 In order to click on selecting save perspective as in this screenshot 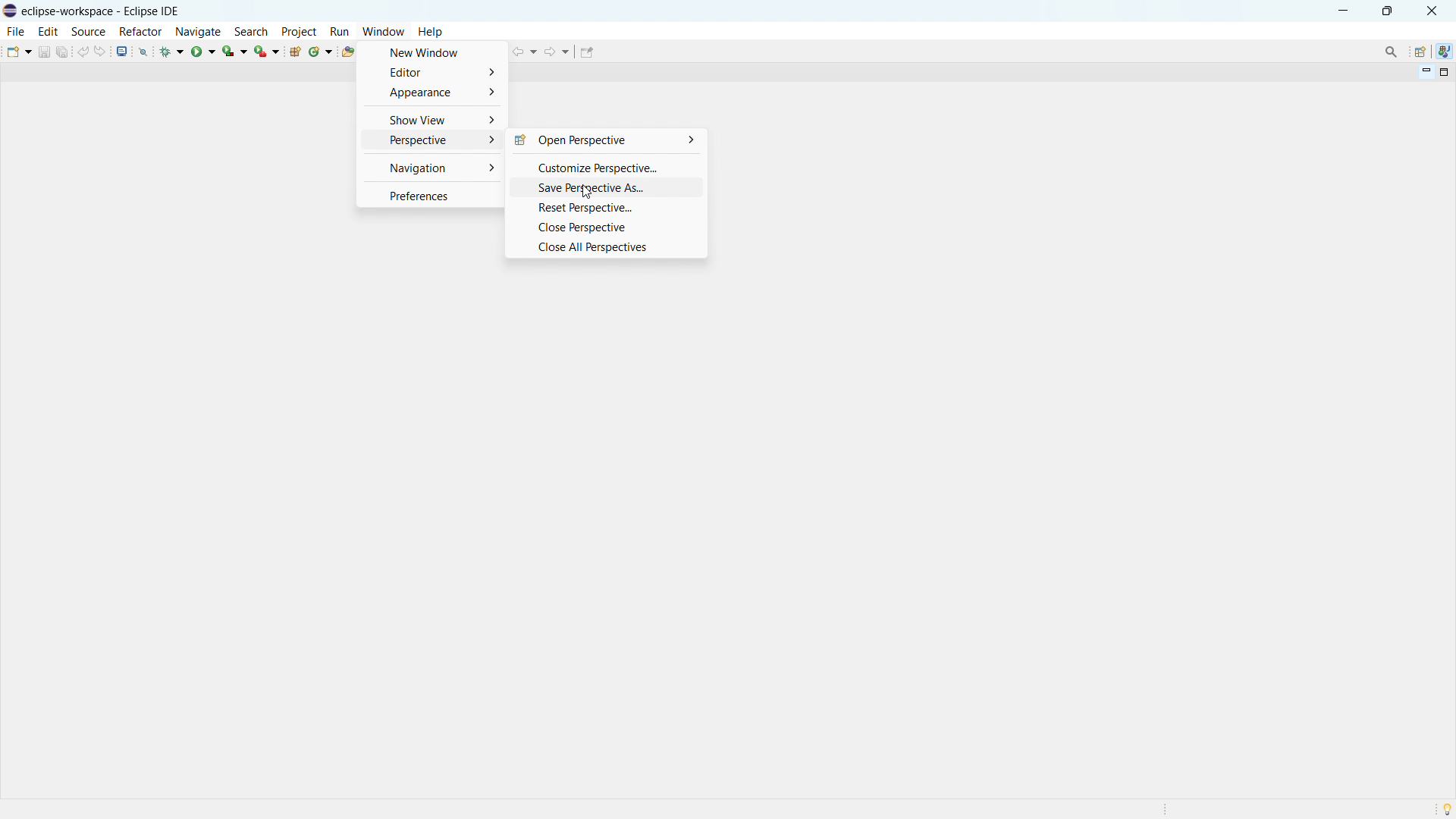, I will do `click(605, 188)`.